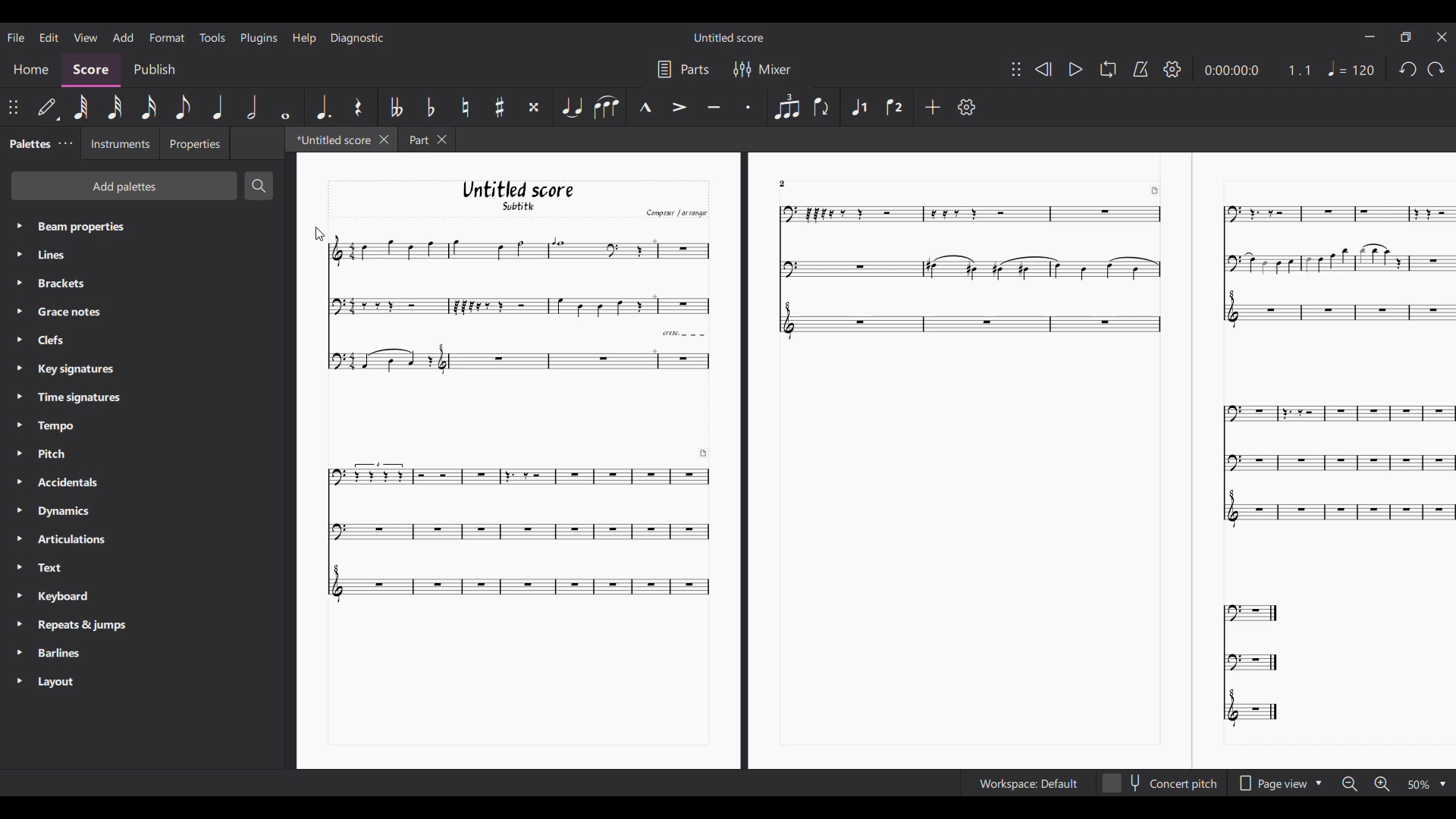 The height and width of the screenshot is (819, 1456). Describe the element at coordinates (521, 361) in the screenshot. I see `` at that location.